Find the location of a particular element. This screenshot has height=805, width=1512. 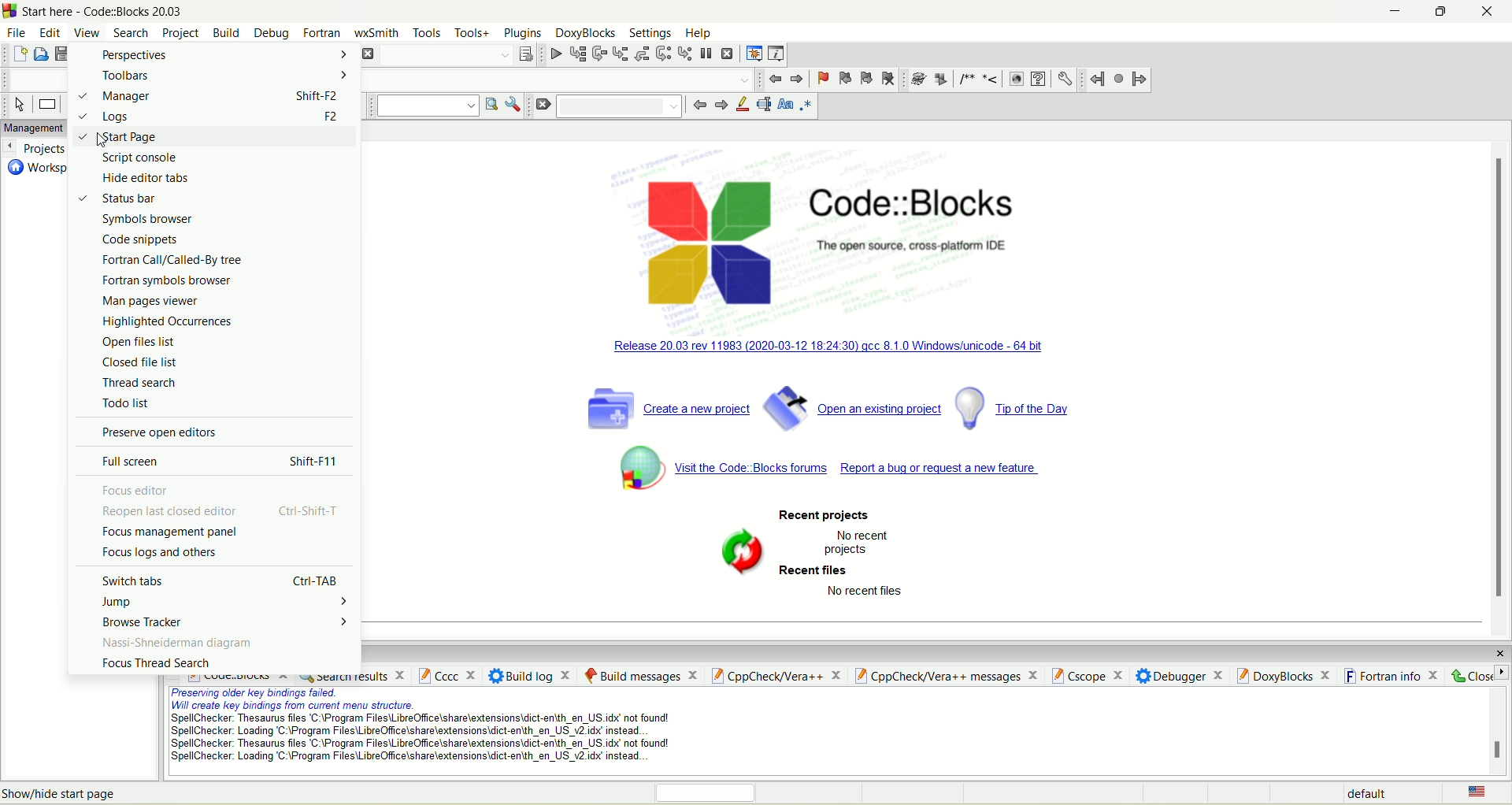

switch tabs is located at coordinates (220, 579).